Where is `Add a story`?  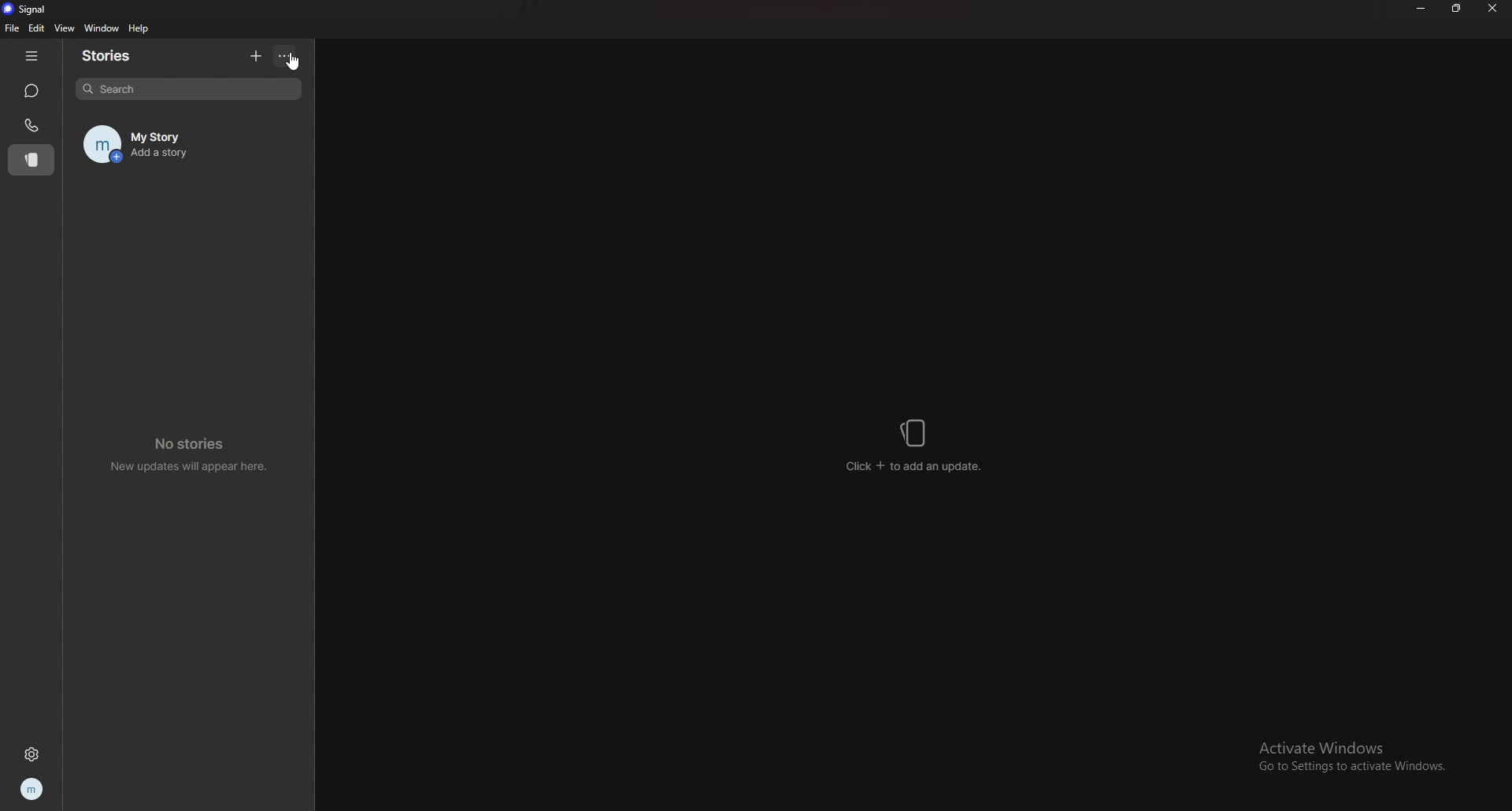
Add a story is located at coordinates (211, 157).